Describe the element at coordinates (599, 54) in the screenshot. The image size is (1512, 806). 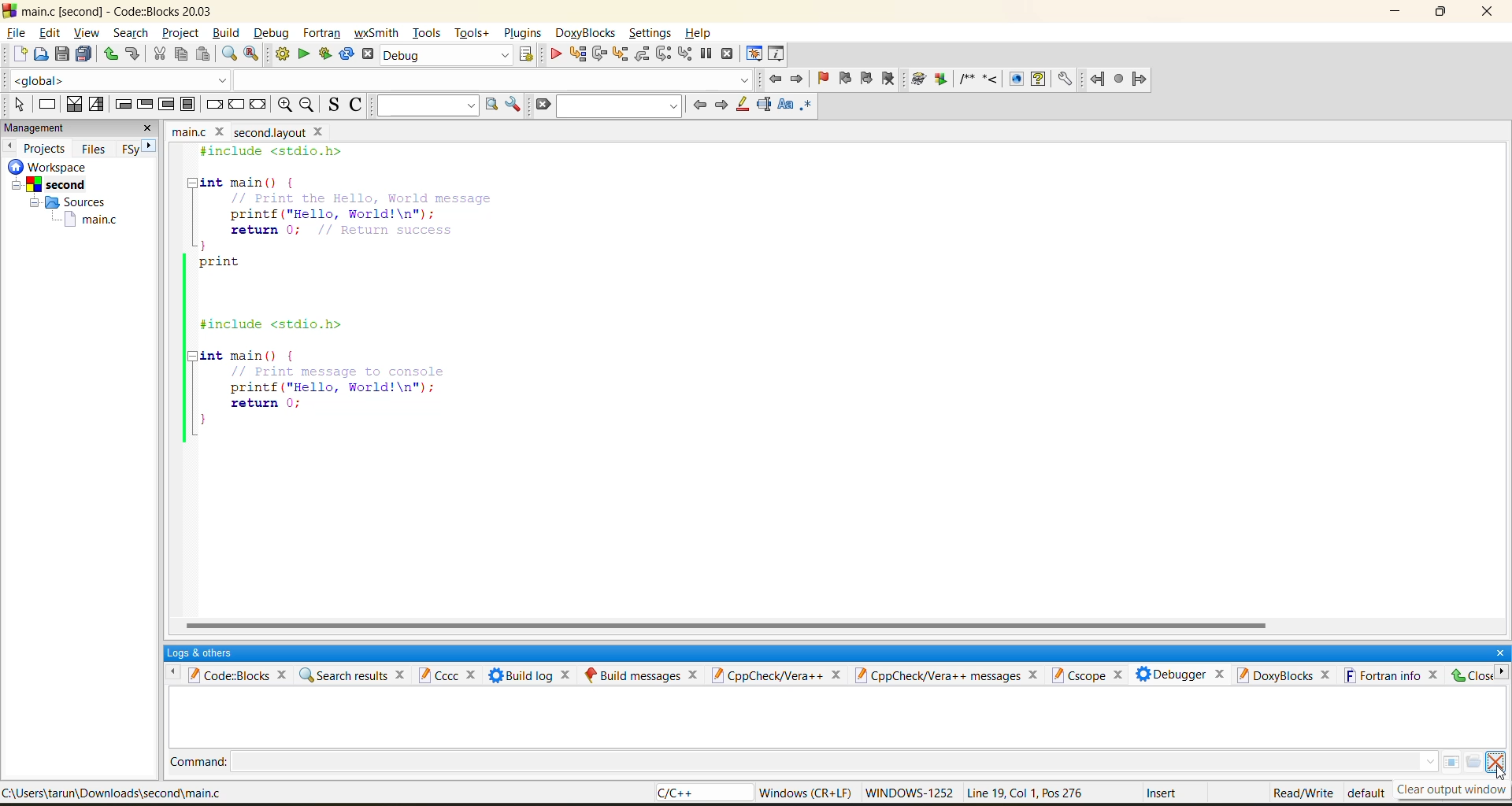
I see `next line` at that location.